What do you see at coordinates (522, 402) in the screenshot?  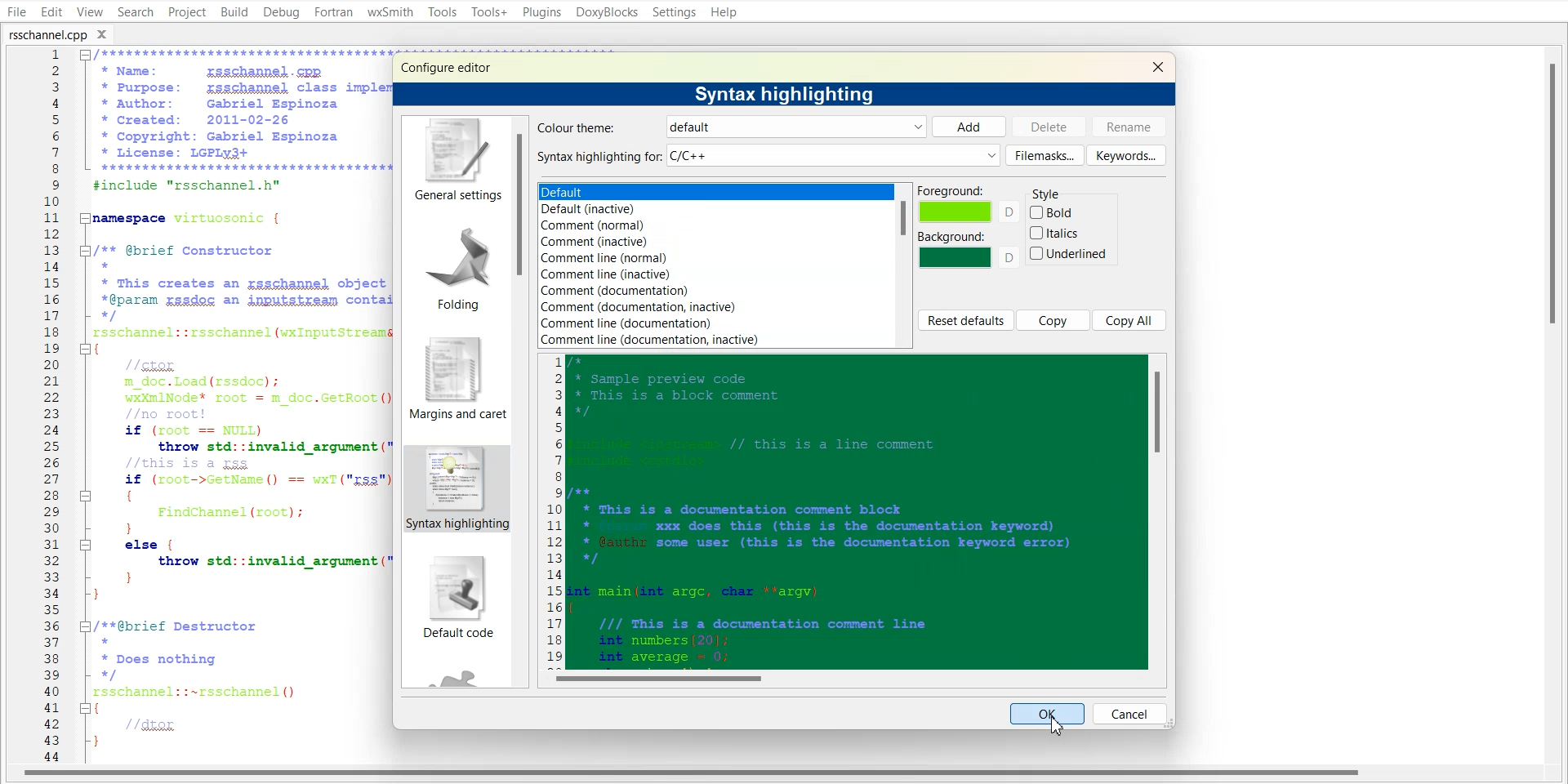 I see `Vertical scroll bar` at bounding box center [522, 402].